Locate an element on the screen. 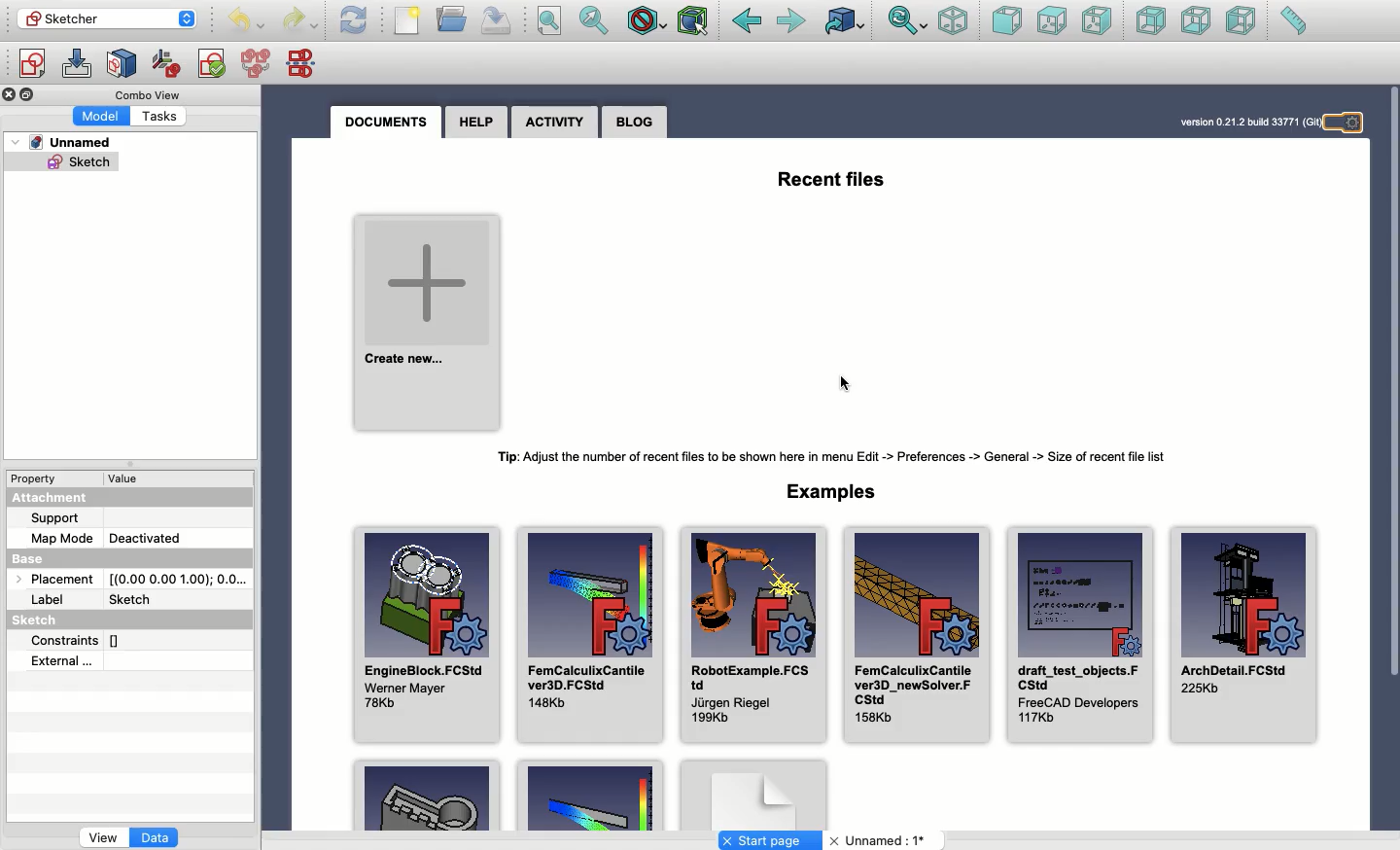  View is located at coordinates (102, 836).